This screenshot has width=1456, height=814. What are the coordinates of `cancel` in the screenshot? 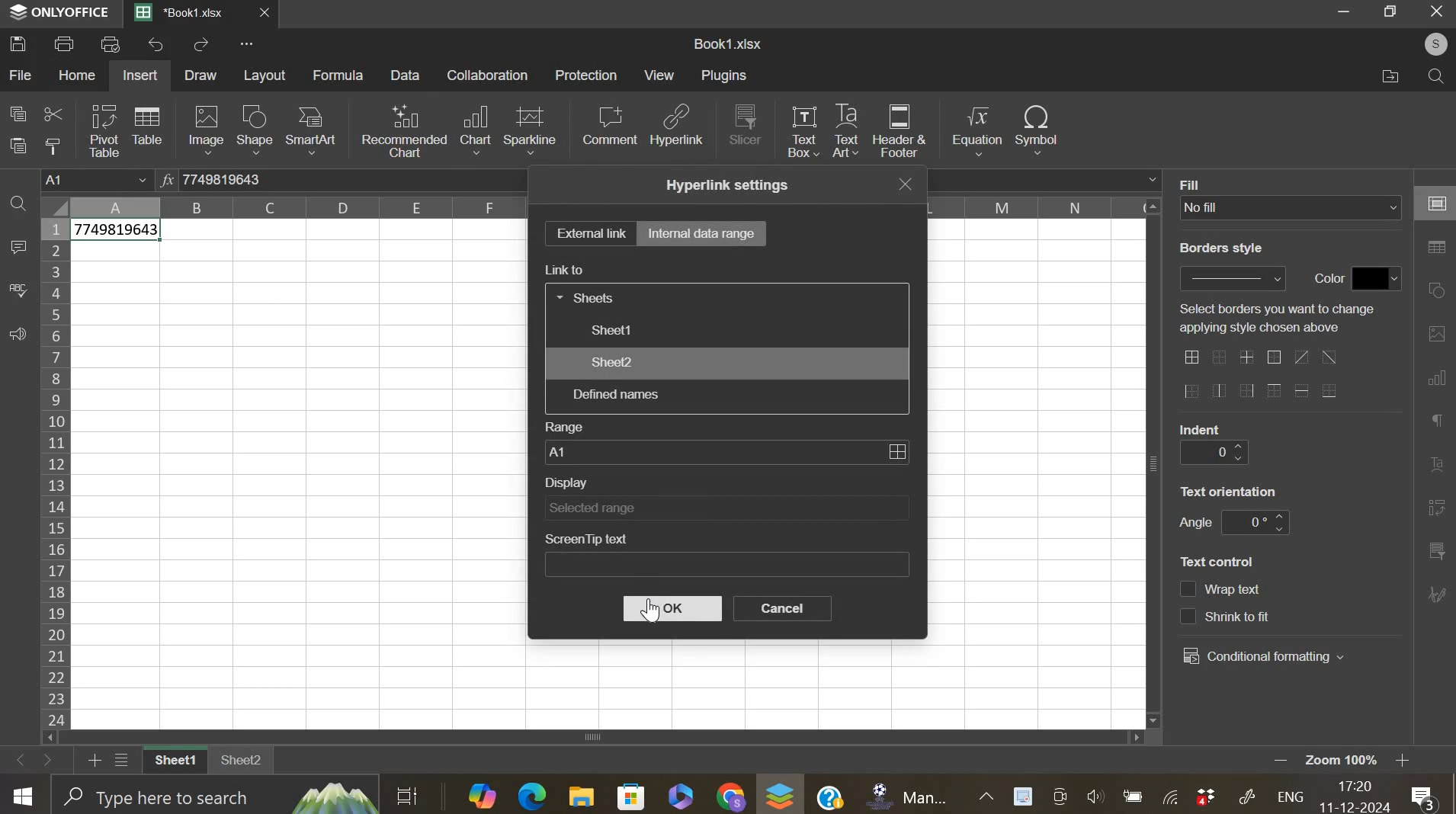 It's located at (783, 608).